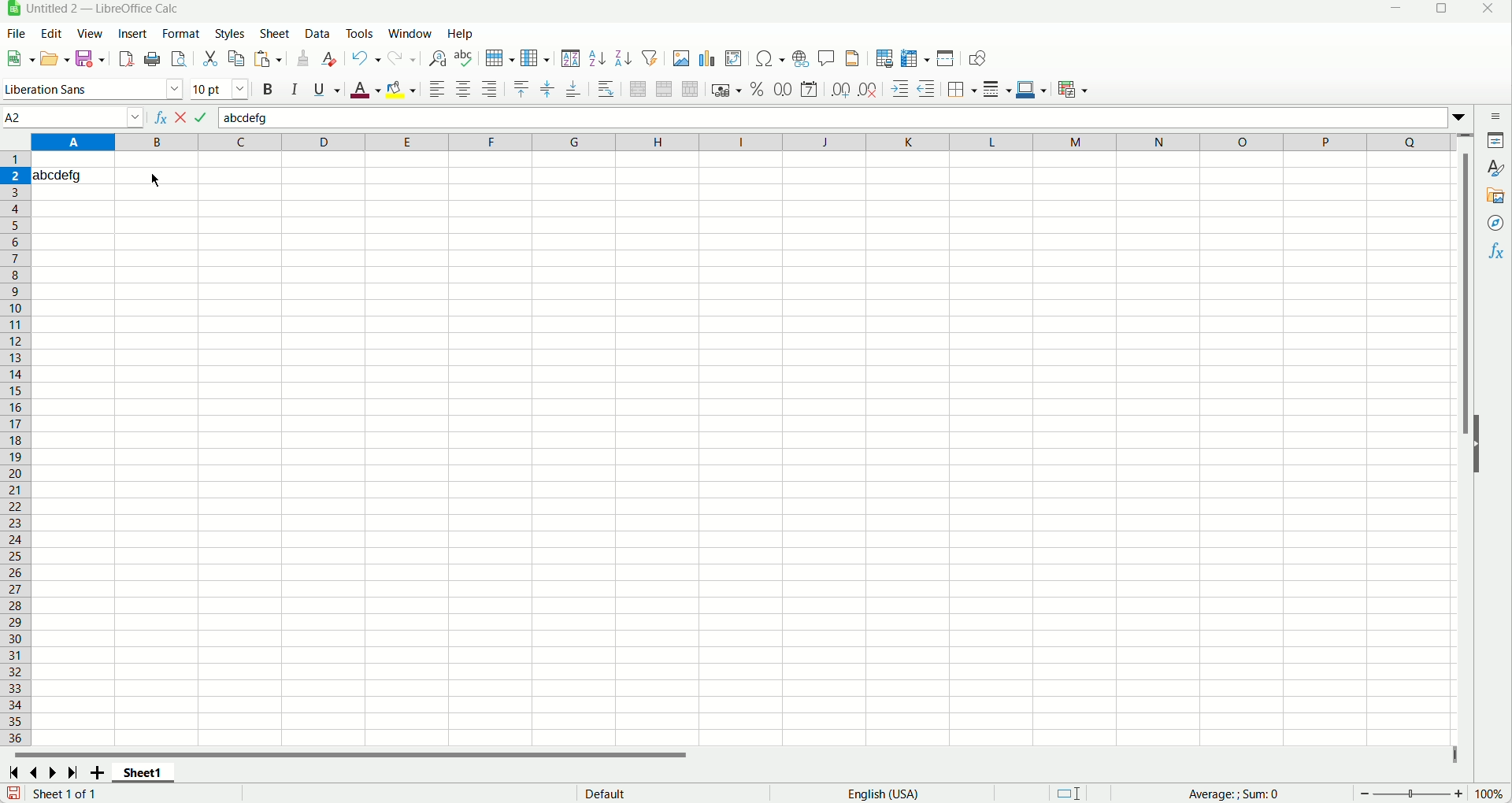 The height and width of the screenshot is (803, 1512). Describe the element at coordinates (841, 89) in the screenshot. I see `add decimal place` at that location.